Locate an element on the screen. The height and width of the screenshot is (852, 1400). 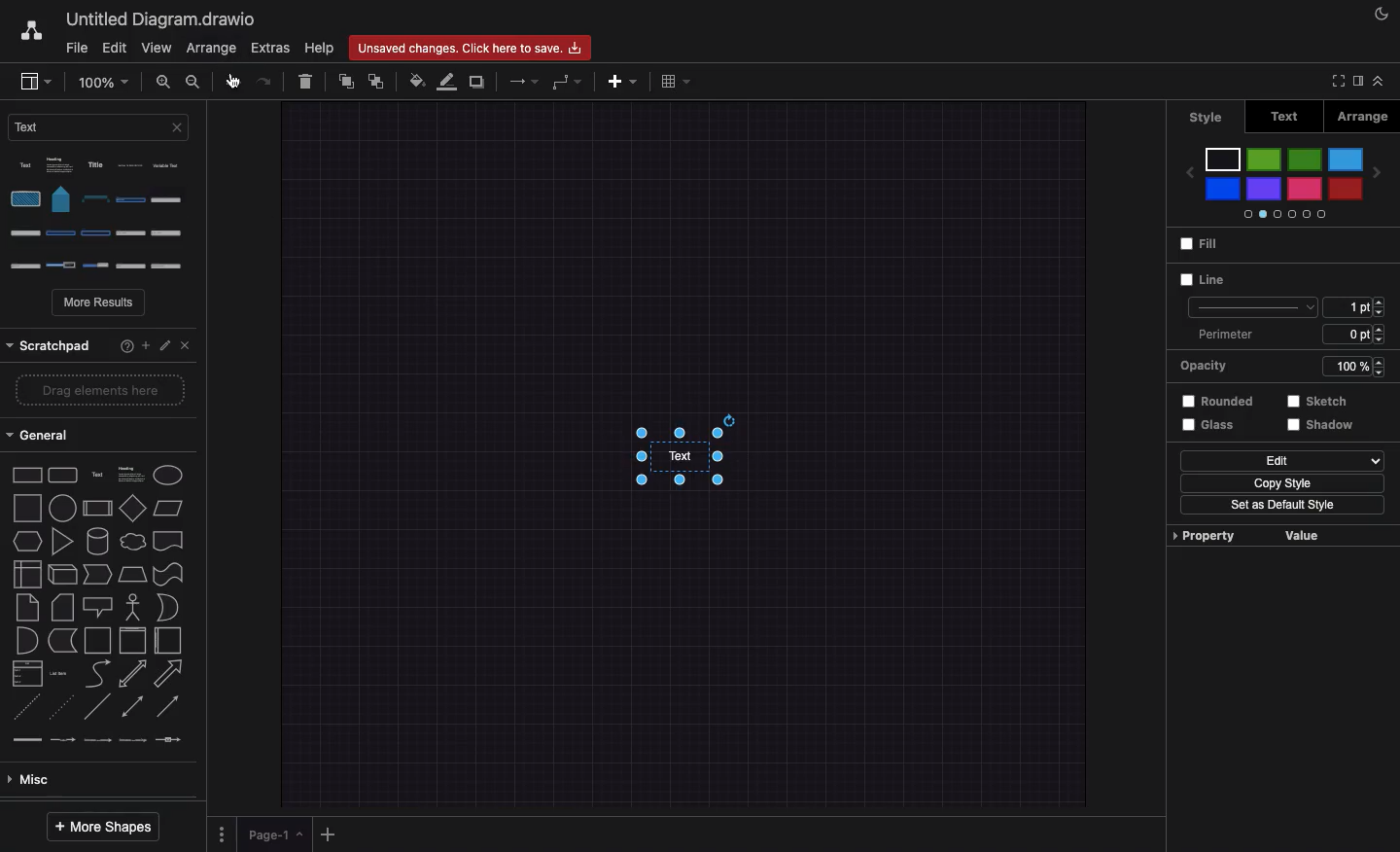
Table is located at coordinates (675, 83).